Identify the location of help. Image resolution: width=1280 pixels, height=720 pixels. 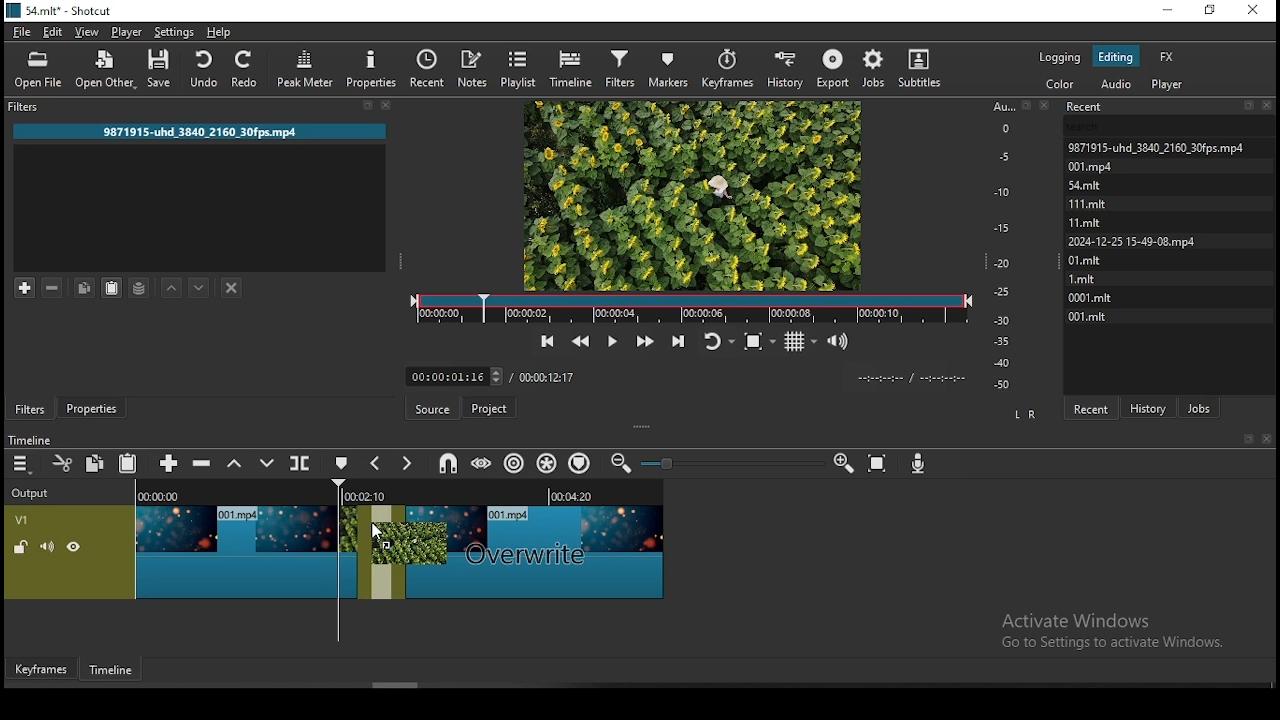
(221, 32).